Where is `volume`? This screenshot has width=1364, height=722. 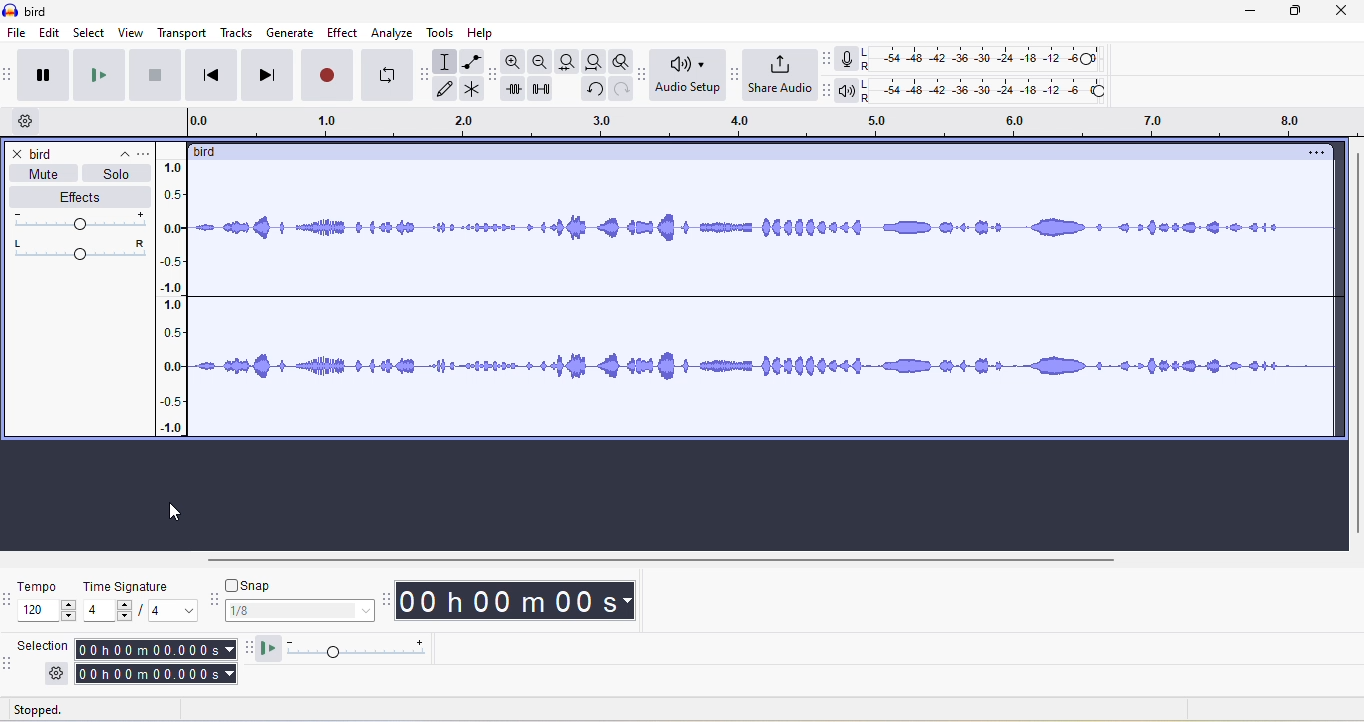
volume is located at coordinates (83, 221).